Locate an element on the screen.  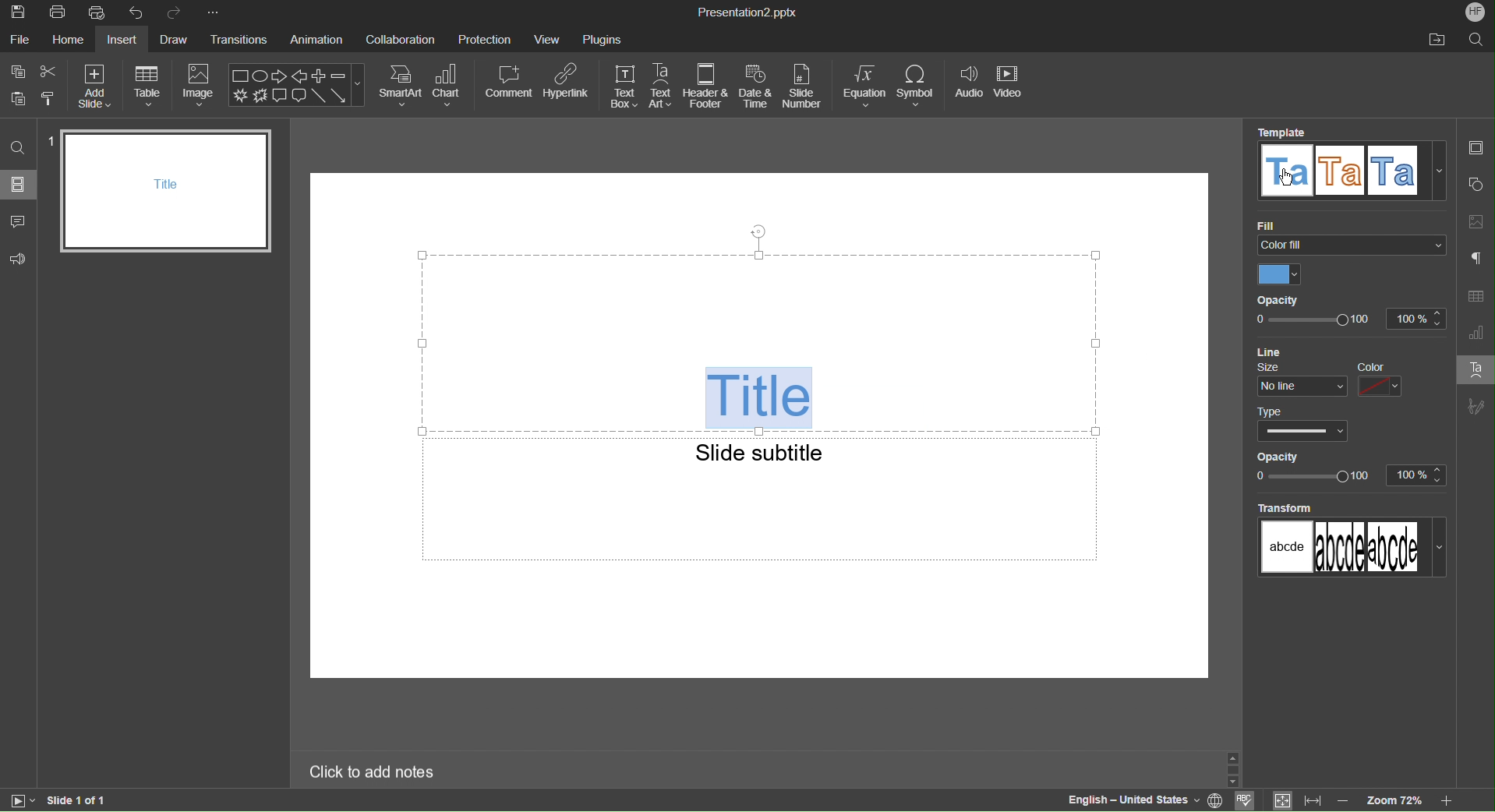
Opacity is located at coordinates (1351, 469).